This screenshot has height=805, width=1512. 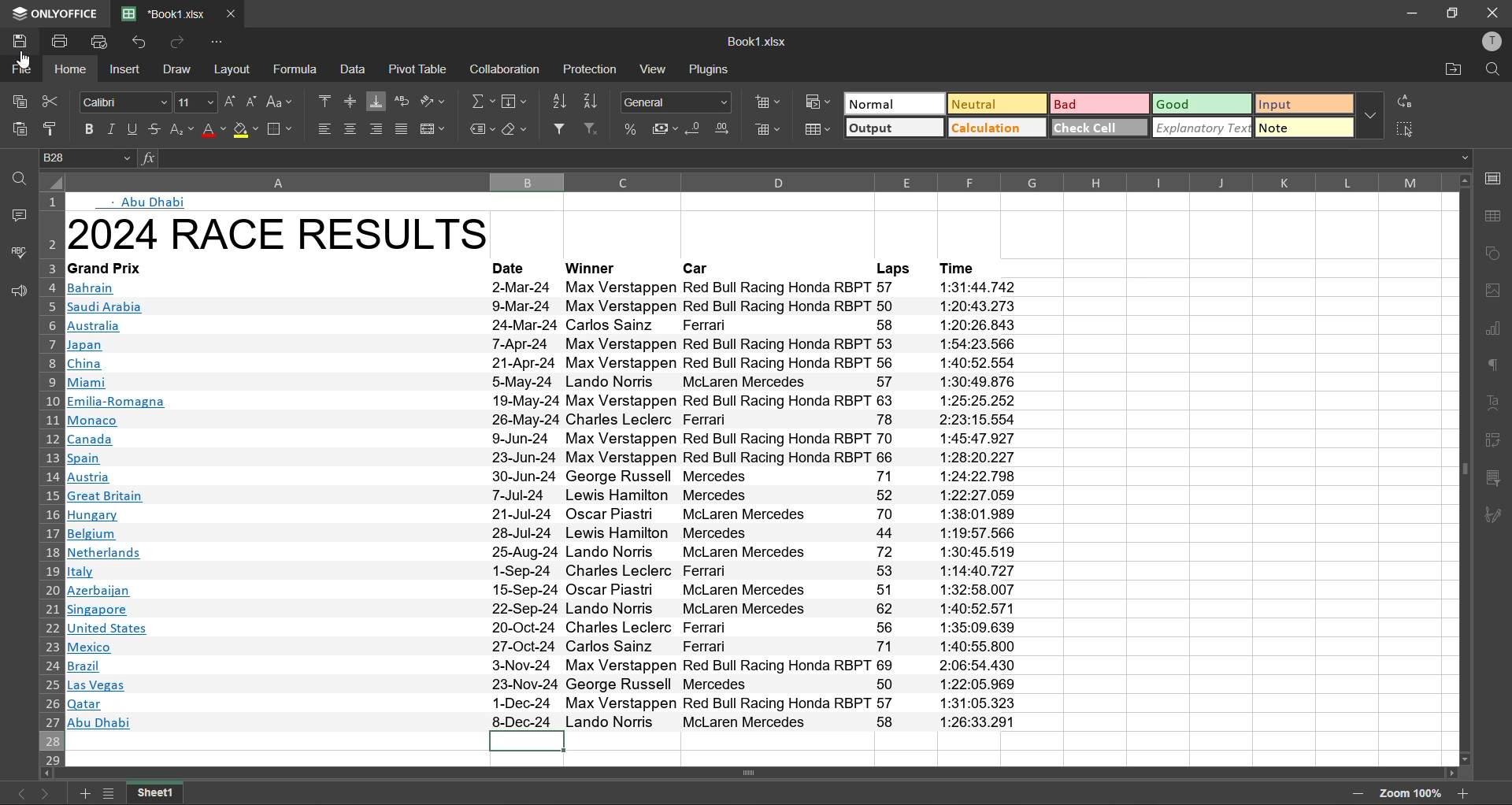 I want to click on zoom in, so click(x=1463, y=793).